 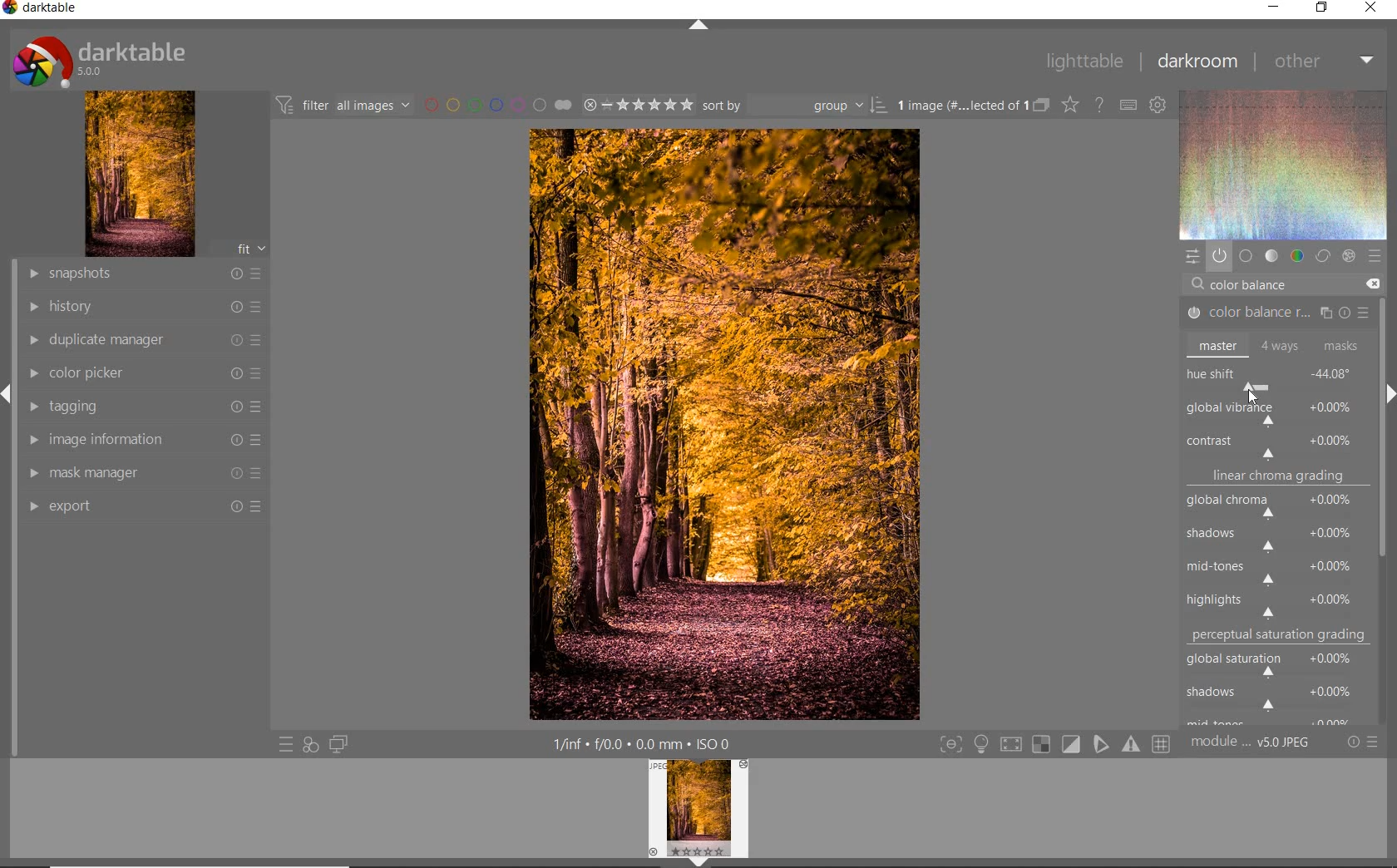 What do you see at coordinates (1361, 742) in the screenshot?
I see `reset or preset & preference` at bounding box center [1361, 742].